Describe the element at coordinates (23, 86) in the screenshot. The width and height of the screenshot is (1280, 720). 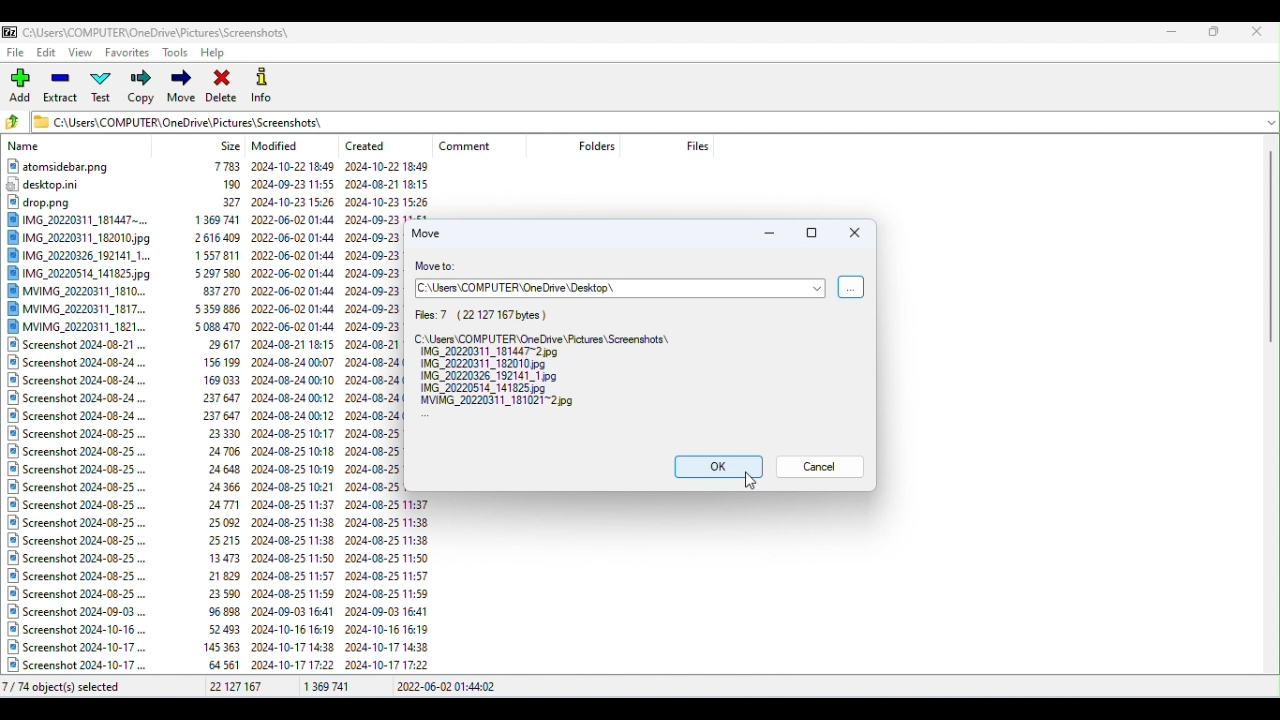
I see `Add` at that location.